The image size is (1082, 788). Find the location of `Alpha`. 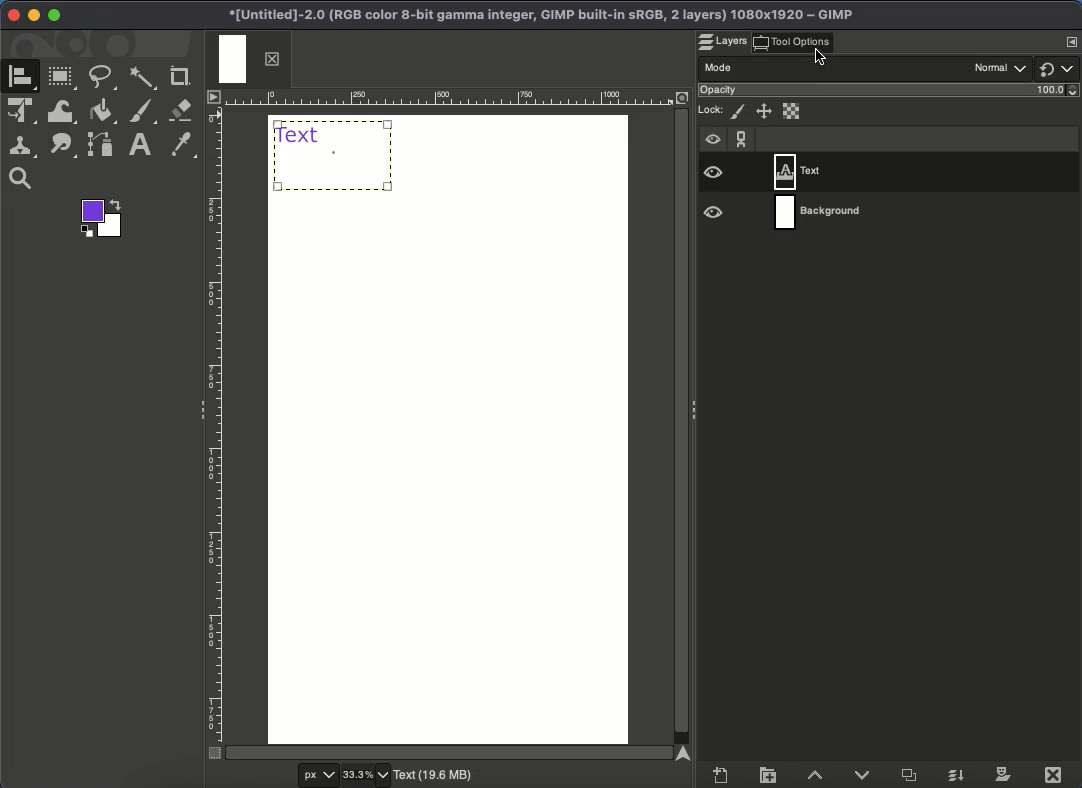

Alpha is located at coordinates (791, 110).